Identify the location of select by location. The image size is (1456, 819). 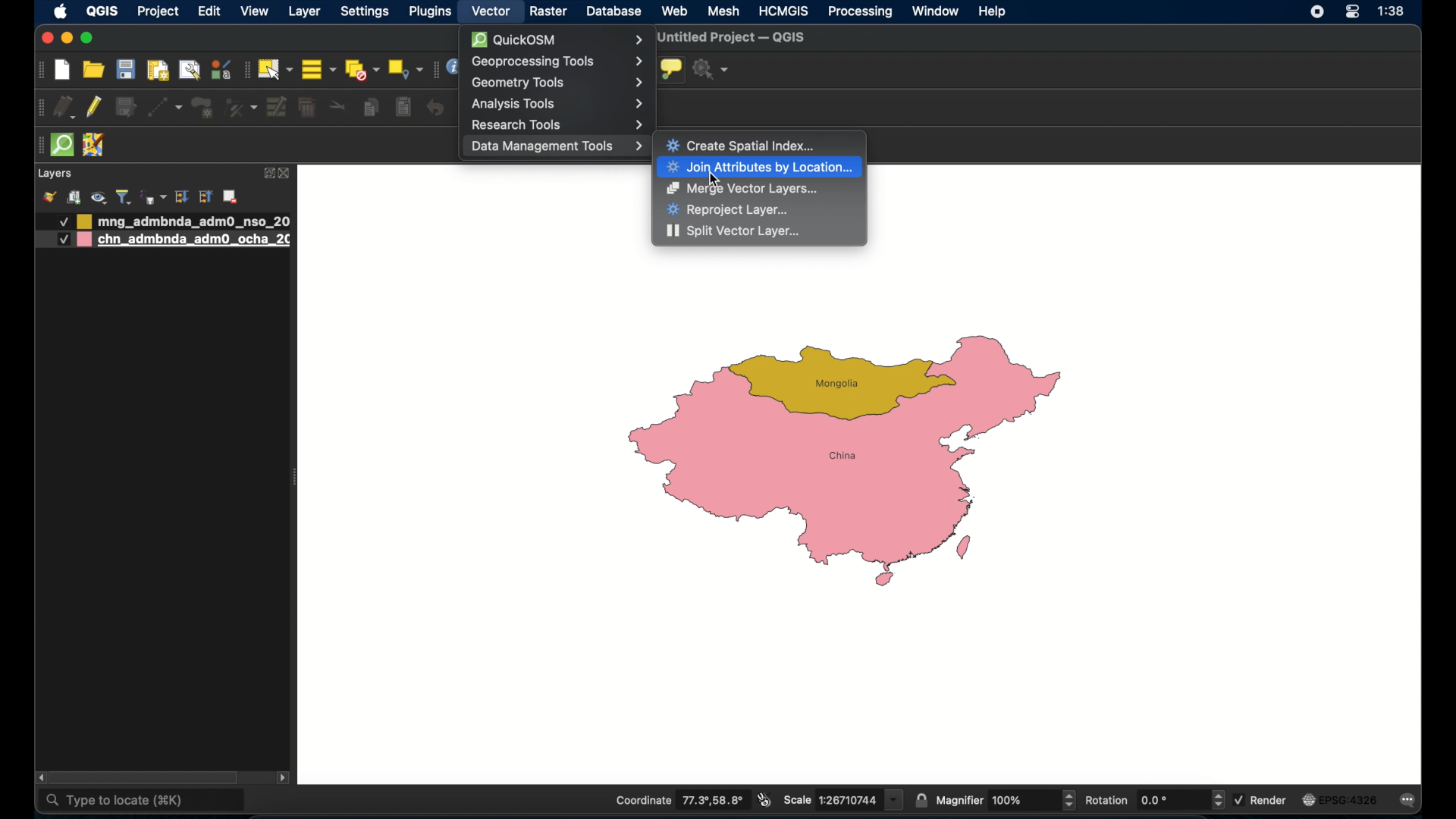
(404, 70).